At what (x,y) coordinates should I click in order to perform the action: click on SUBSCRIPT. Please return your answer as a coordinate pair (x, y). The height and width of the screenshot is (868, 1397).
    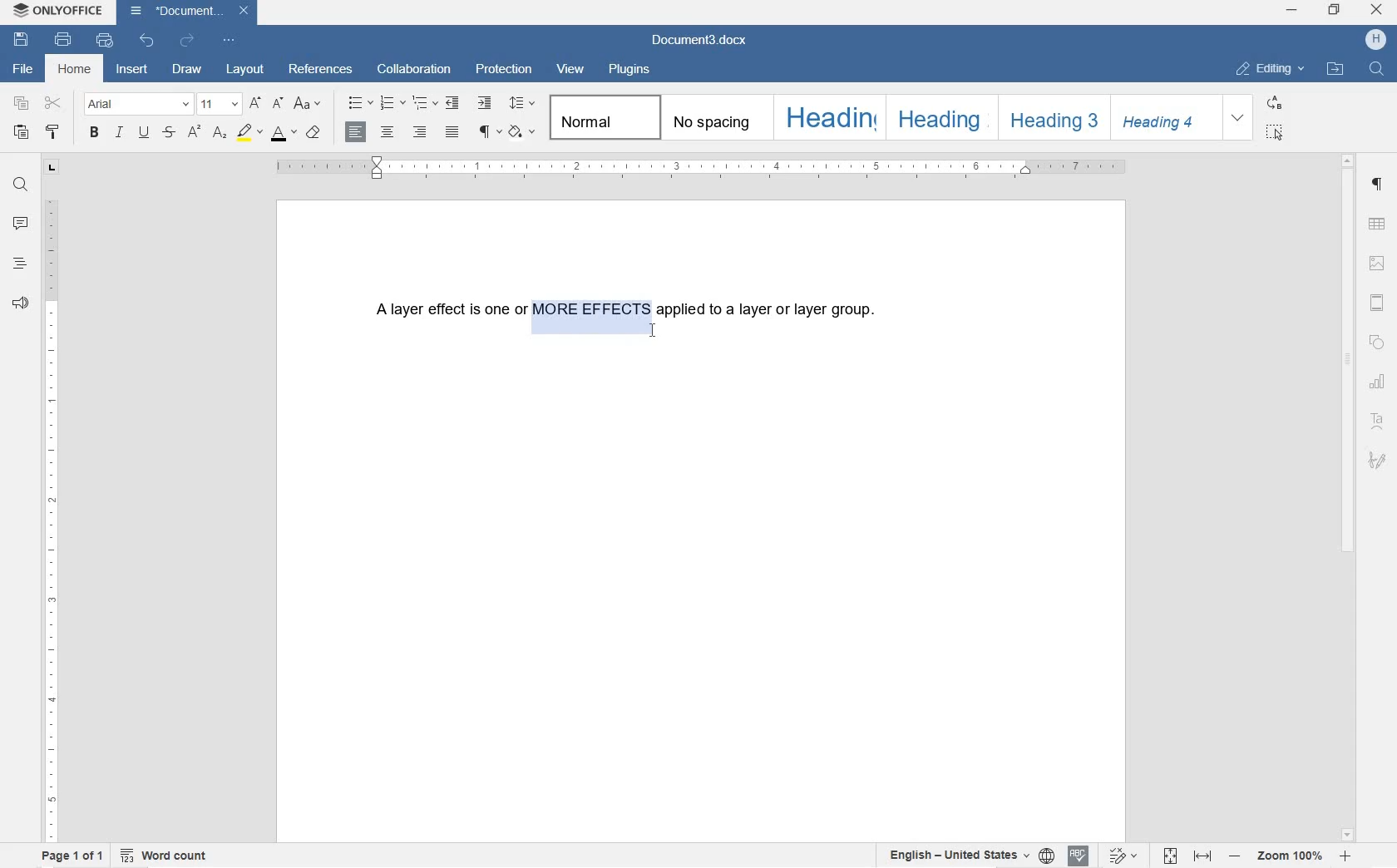
    Looking at the image, I should click on (220, 133).